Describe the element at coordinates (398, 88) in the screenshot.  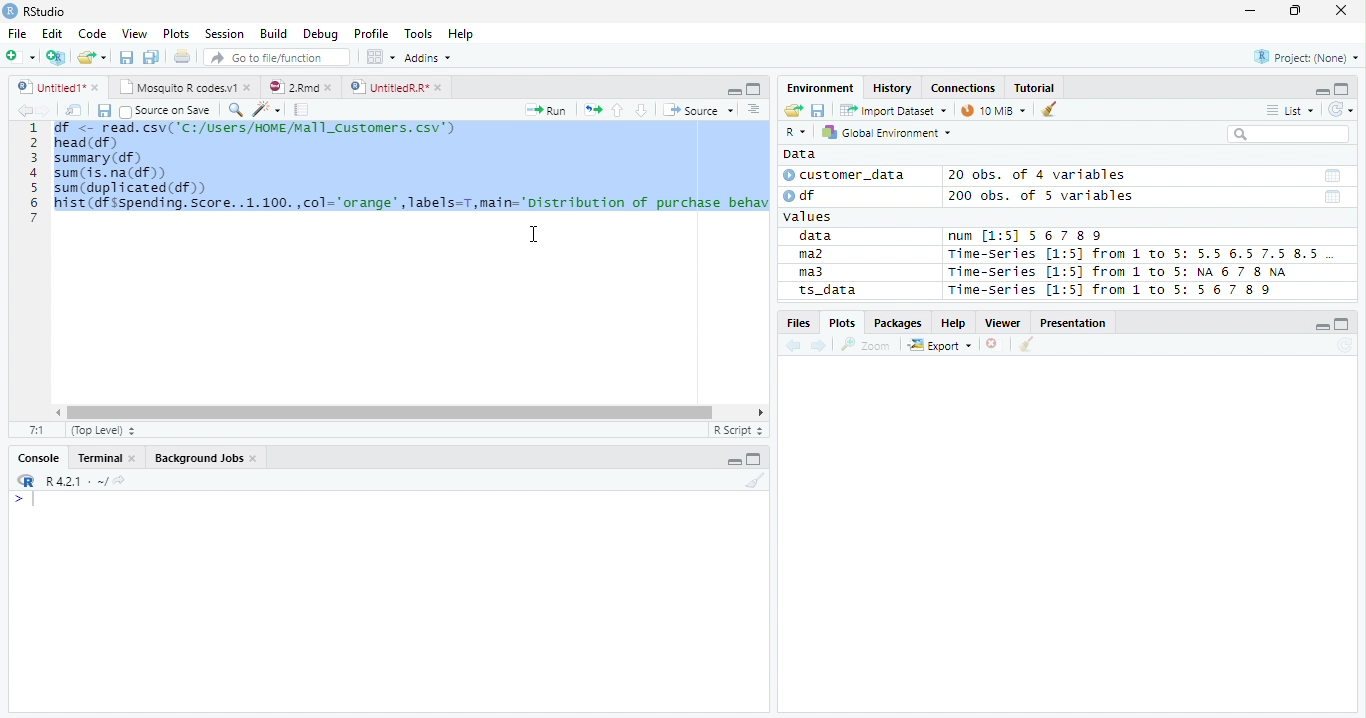
I see `UnititledR.R` at that location.